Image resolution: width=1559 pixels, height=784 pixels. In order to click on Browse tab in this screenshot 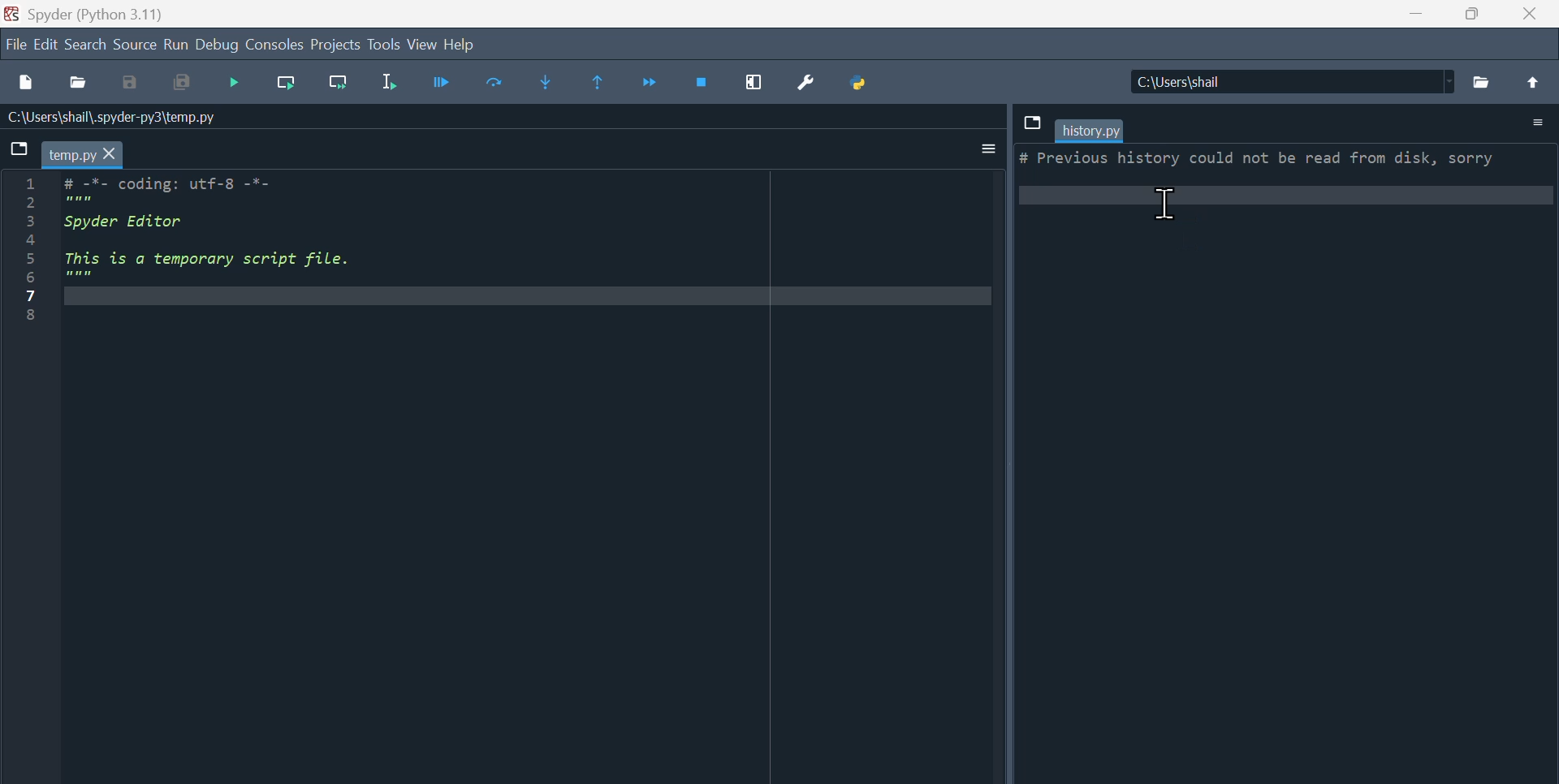, I will do `click(1031, 123)`.